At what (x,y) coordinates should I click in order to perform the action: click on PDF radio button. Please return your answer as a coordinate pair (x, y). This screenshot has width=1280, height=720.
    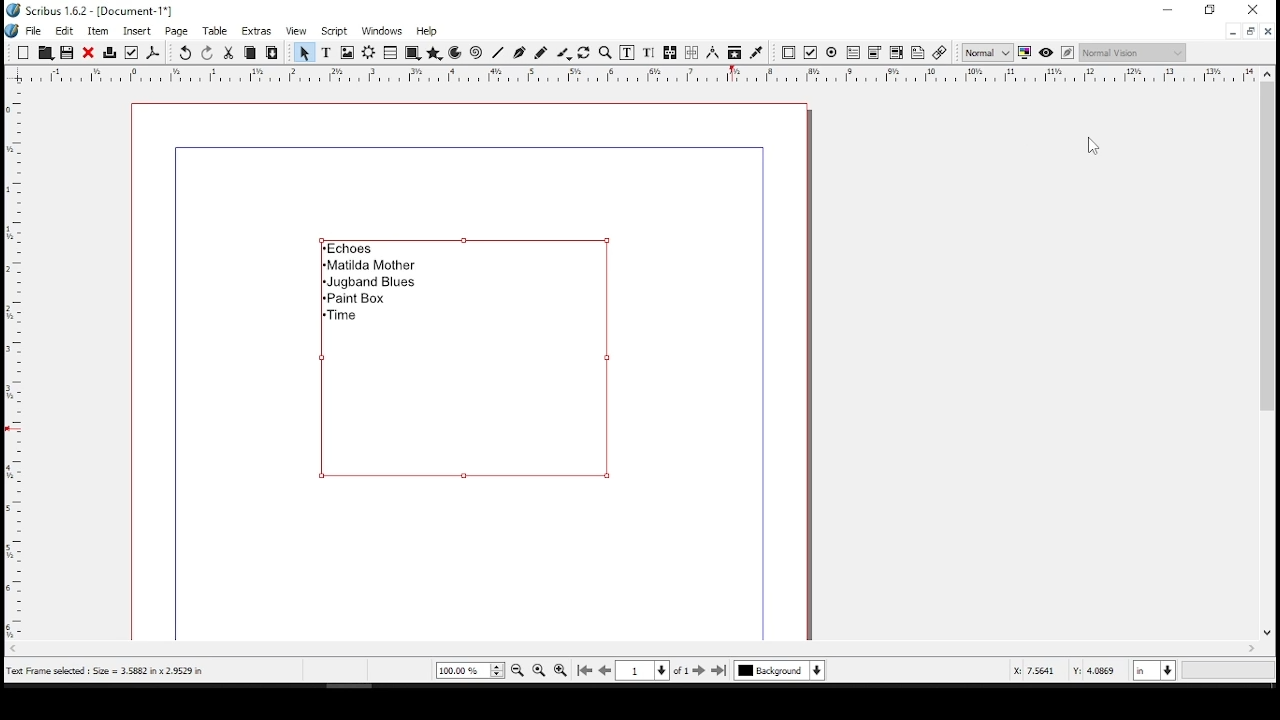
    Looking at the image, I should click on (832, 53).